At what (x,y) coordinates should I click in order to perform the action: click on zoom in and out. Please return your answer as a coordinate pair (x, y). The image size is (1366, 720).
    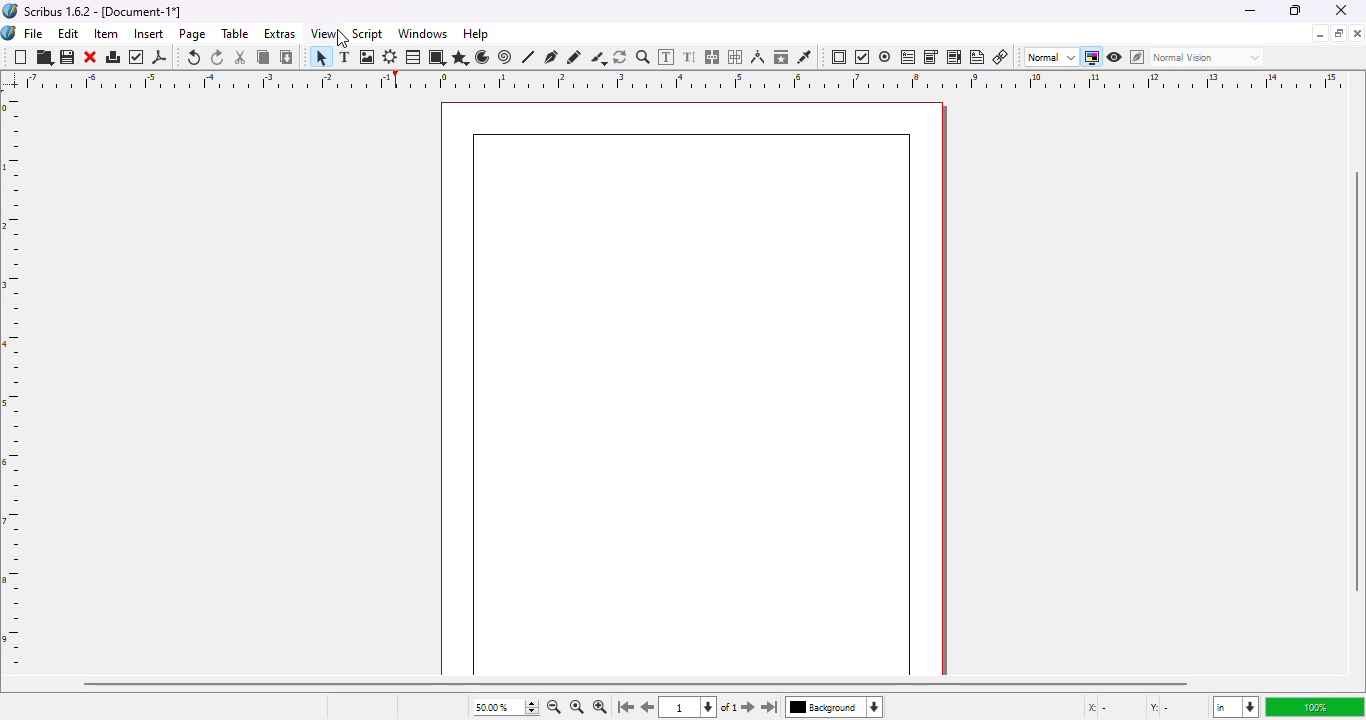
    Looking at the image, I should click on (530, 707).